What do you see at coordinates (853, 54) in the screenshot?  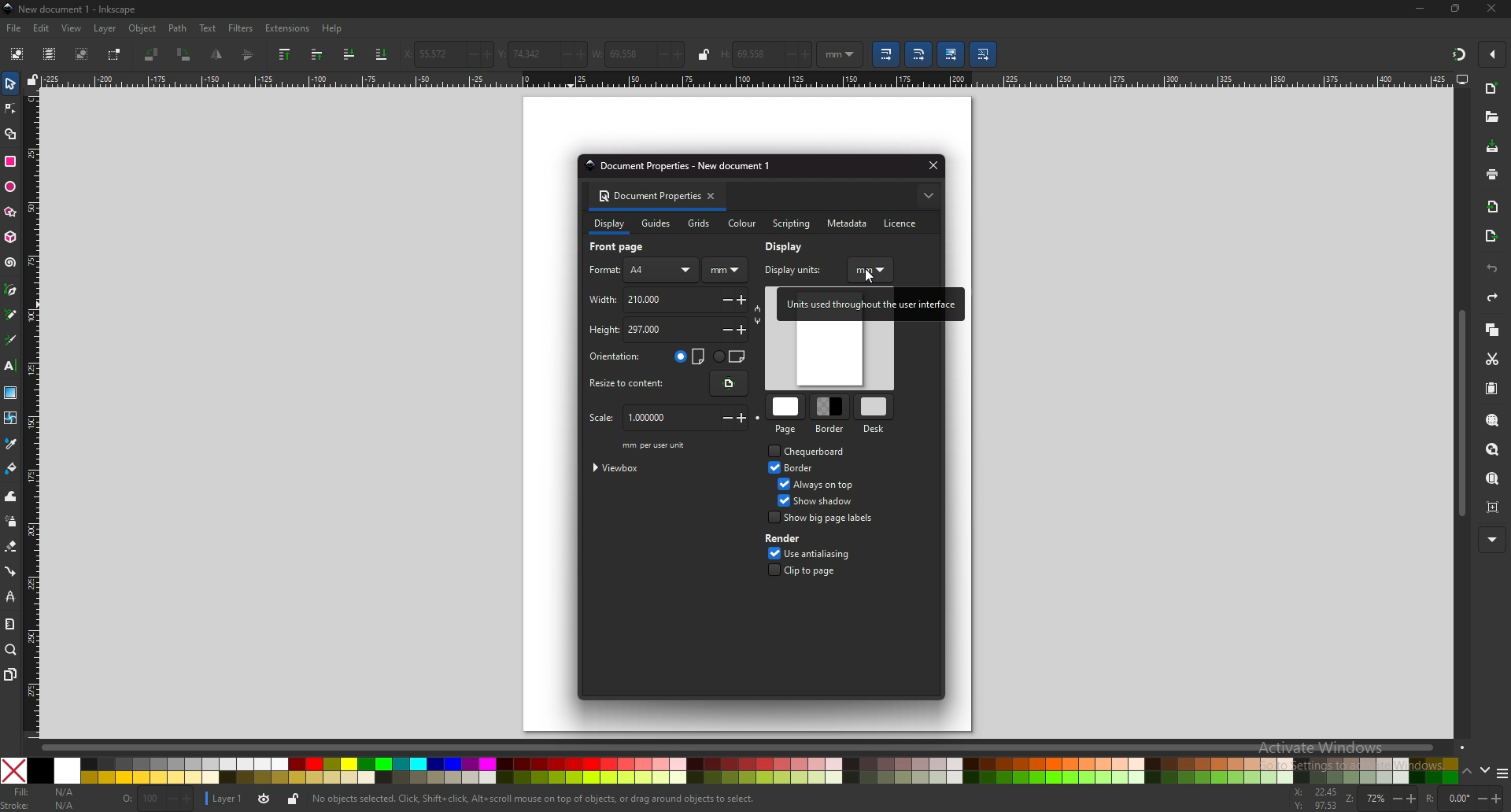 I see `Drop down` at bounding box center [853, 54].